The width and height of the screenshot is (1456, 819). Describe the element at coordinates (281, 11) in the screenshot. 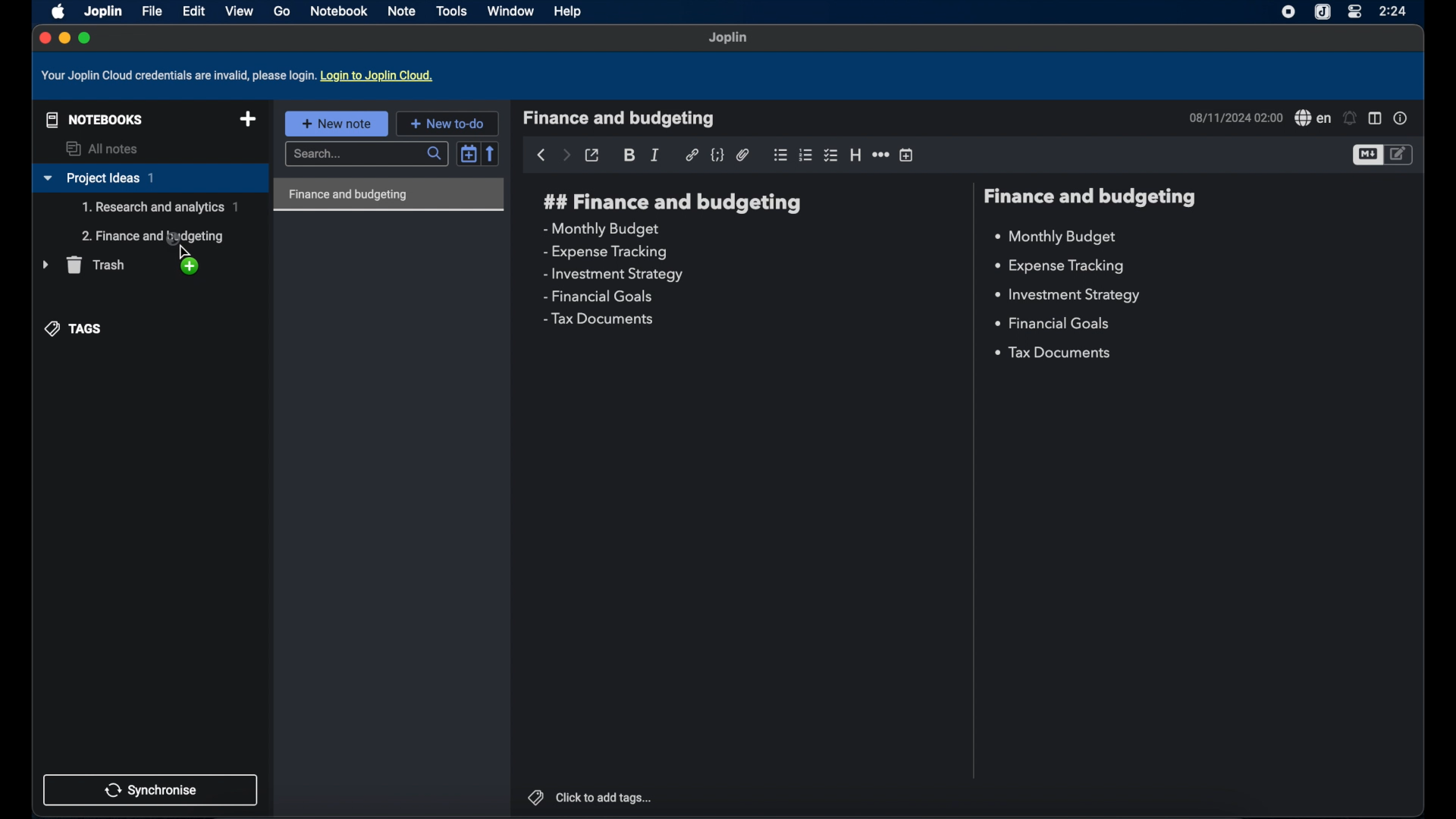

I see `go` at that location.